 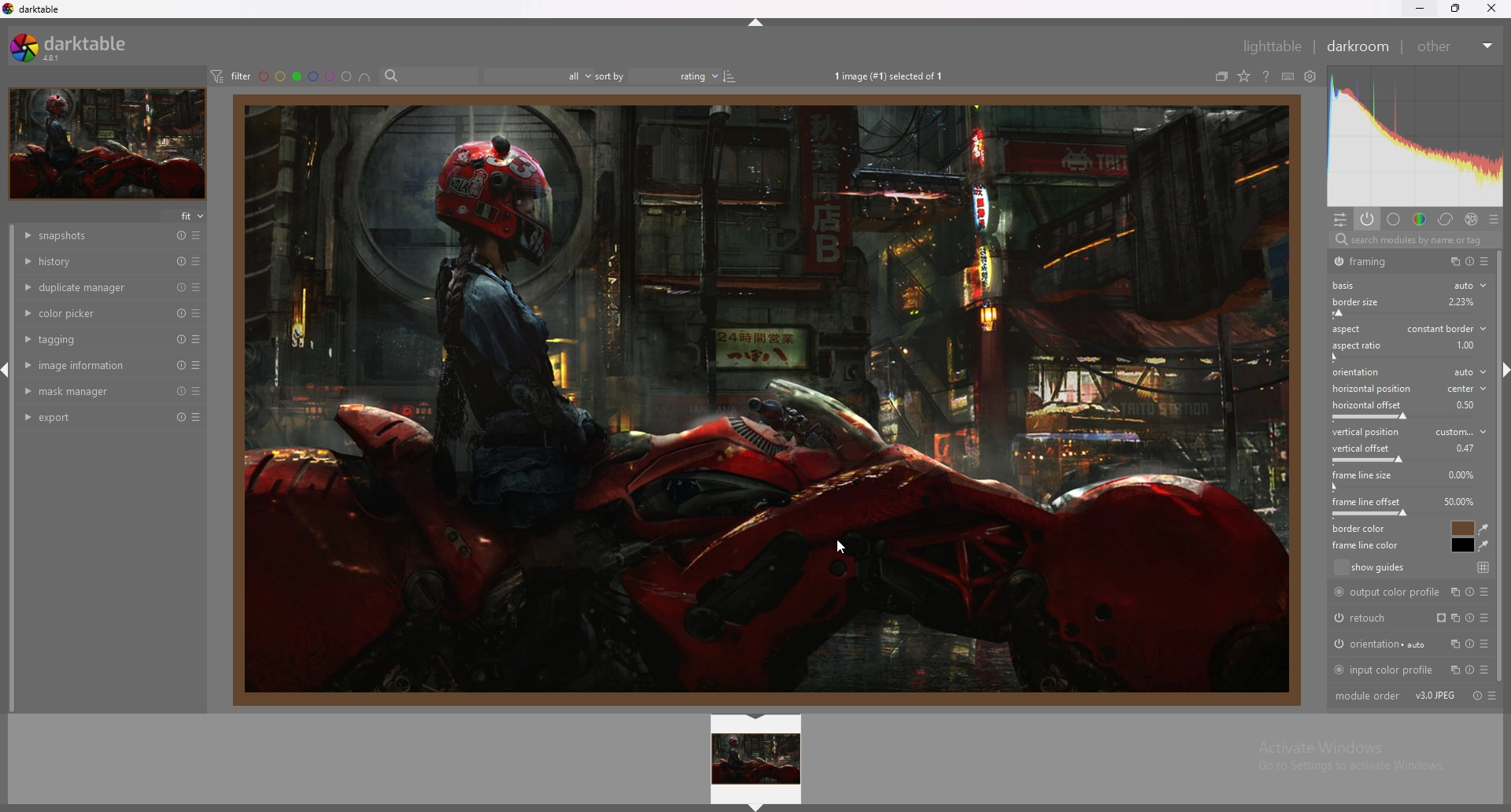 I want to click on show guides, so click(x=1410, y=568).